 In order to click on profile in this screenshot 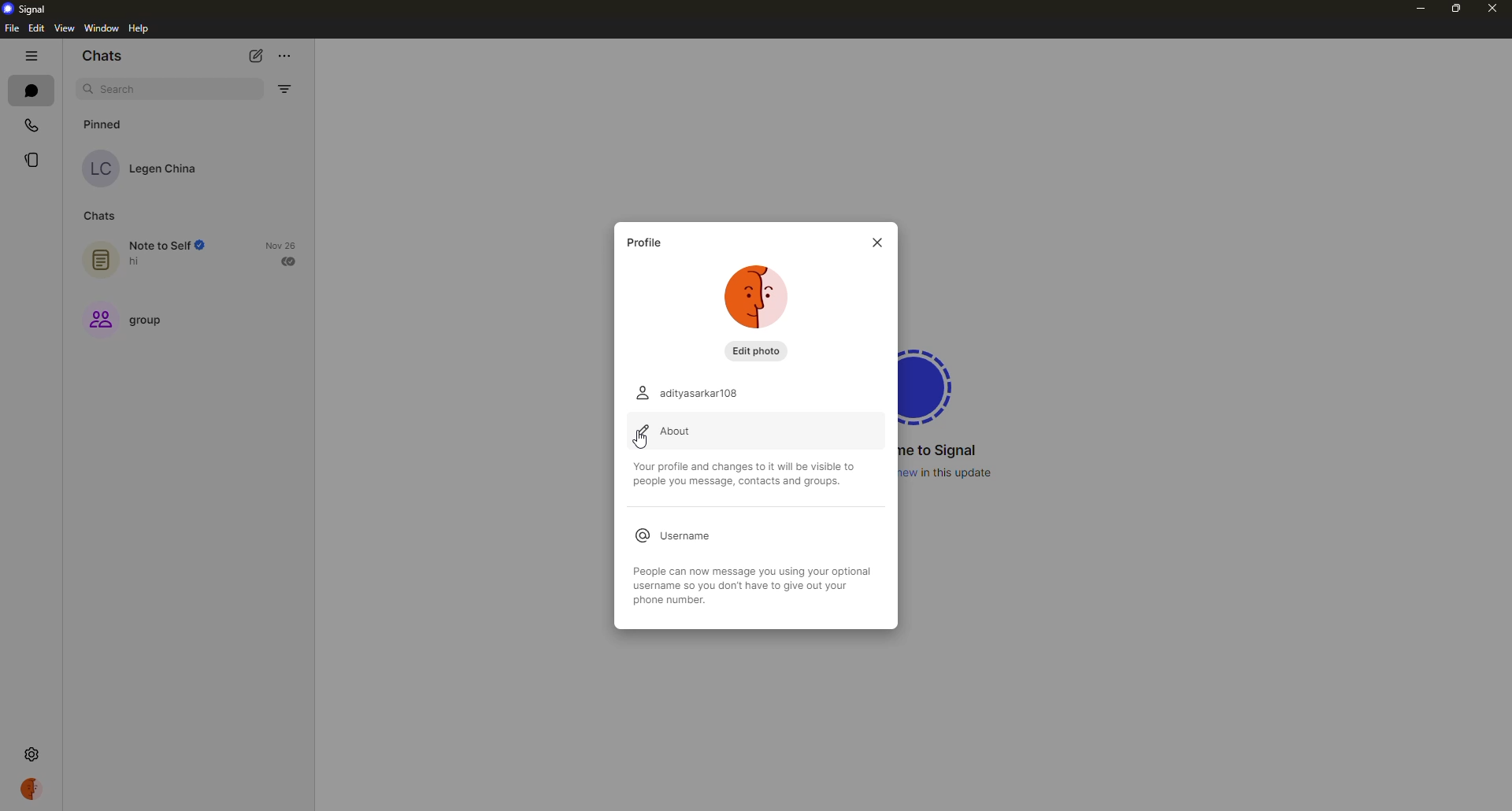, I will do `click(94, 788)`.